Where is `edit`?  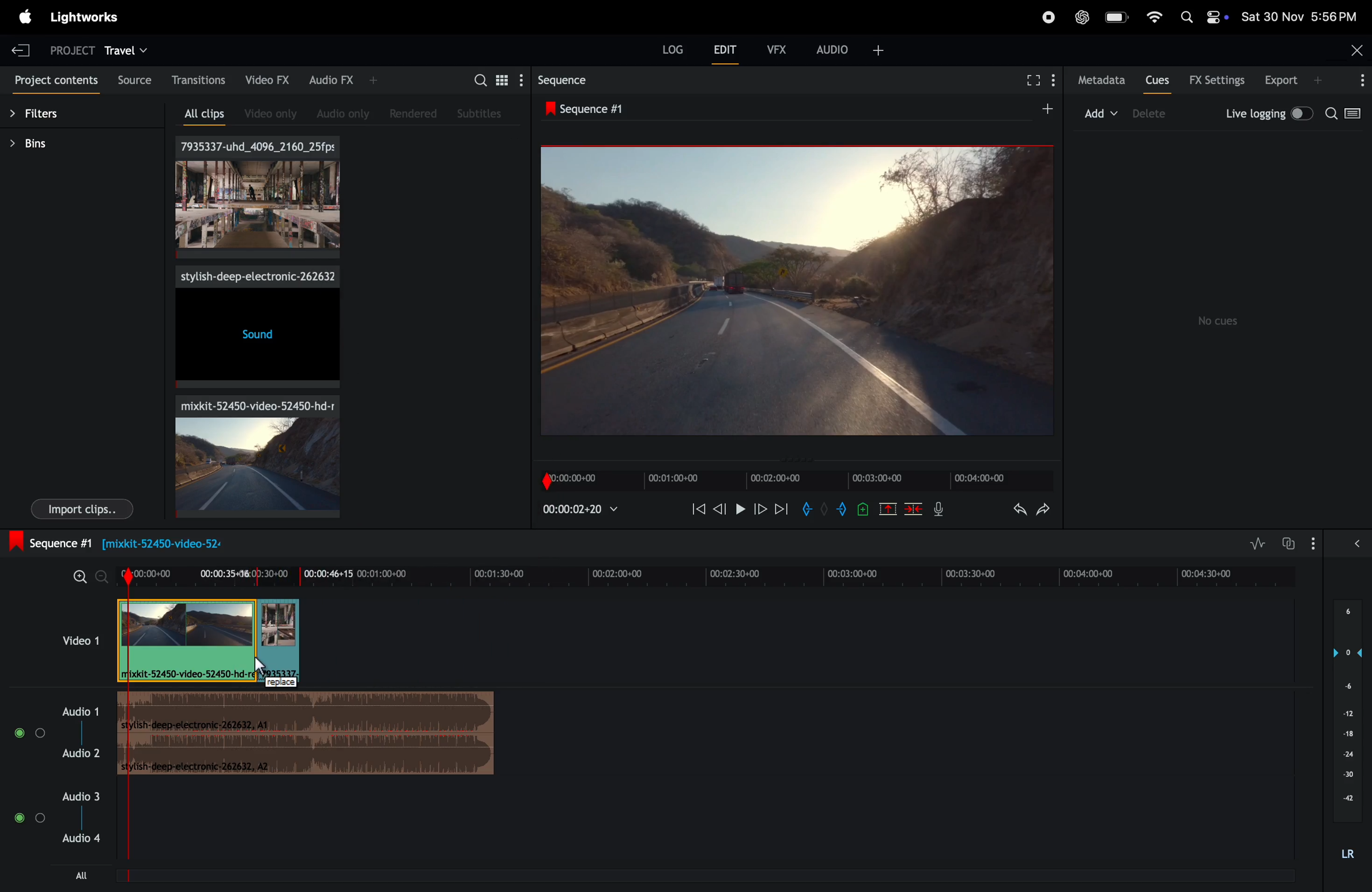
edit is located at coordinates (721, 50).